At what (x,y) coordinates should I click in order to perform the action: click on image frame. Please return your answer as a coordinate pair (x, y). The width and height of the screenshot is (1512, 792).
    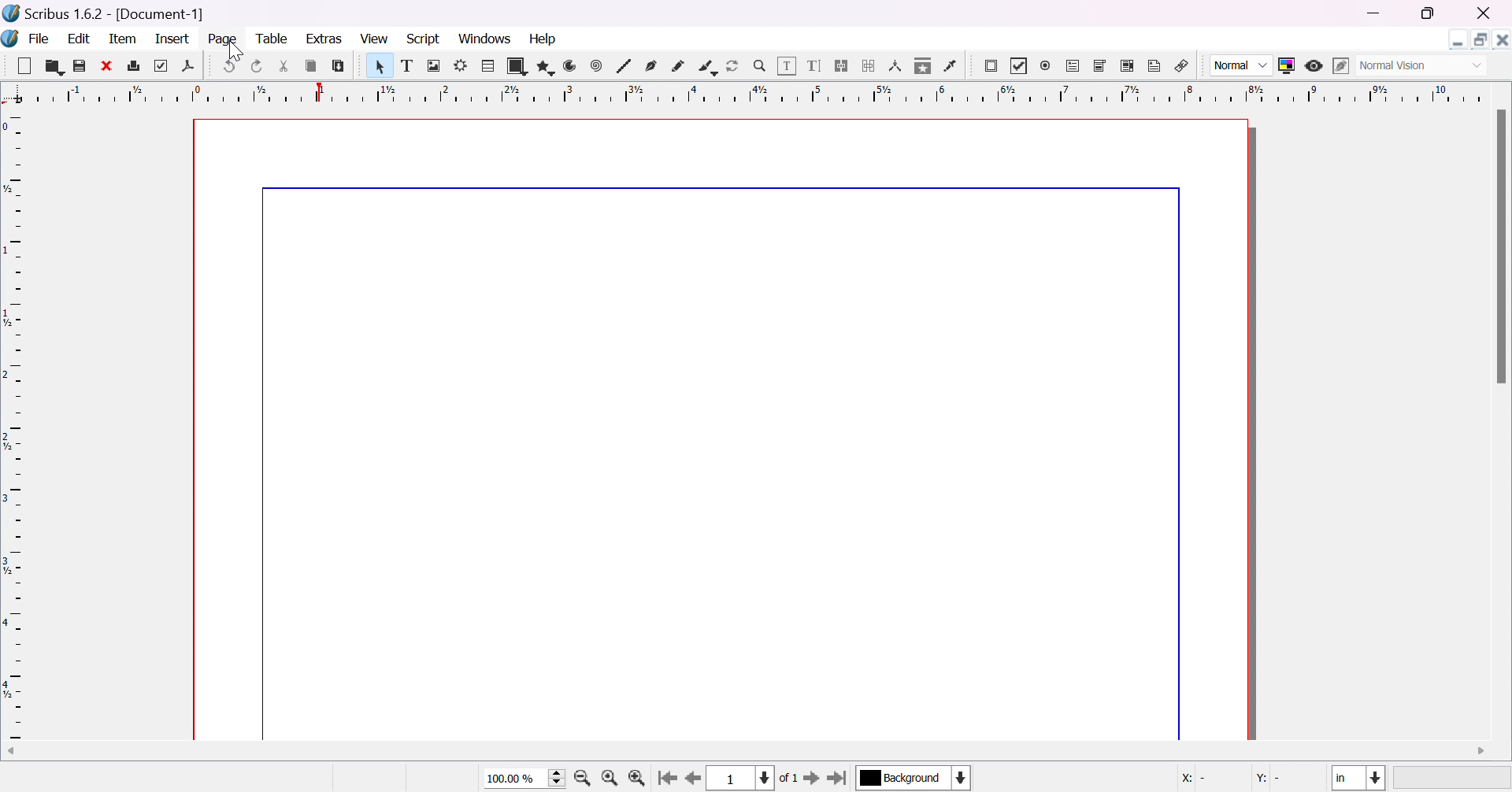
    Looking at the image, I should click on (437, 67).